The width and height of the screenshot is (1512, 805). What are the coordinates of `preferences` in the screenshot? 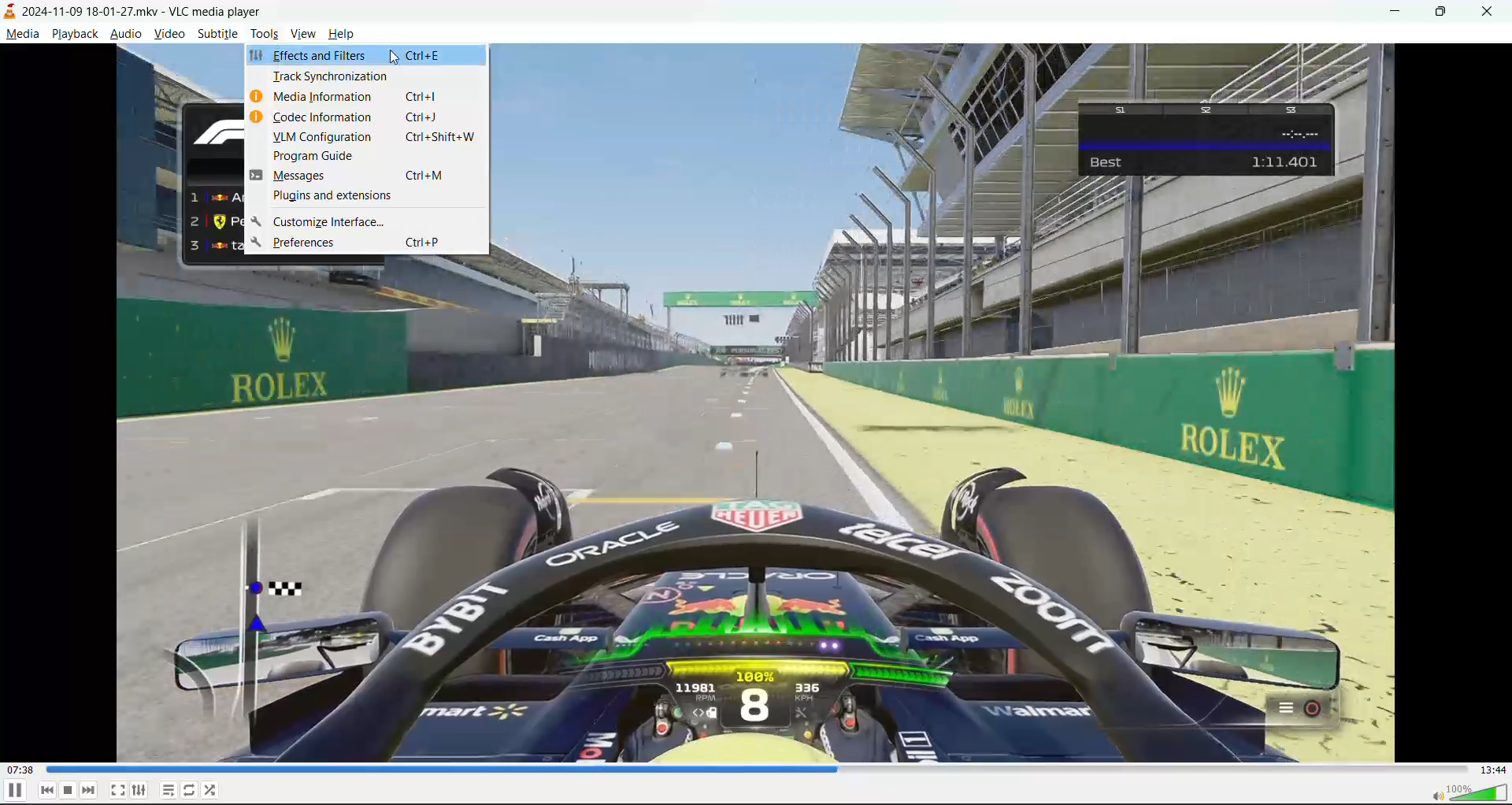 It's located at (376, 243).